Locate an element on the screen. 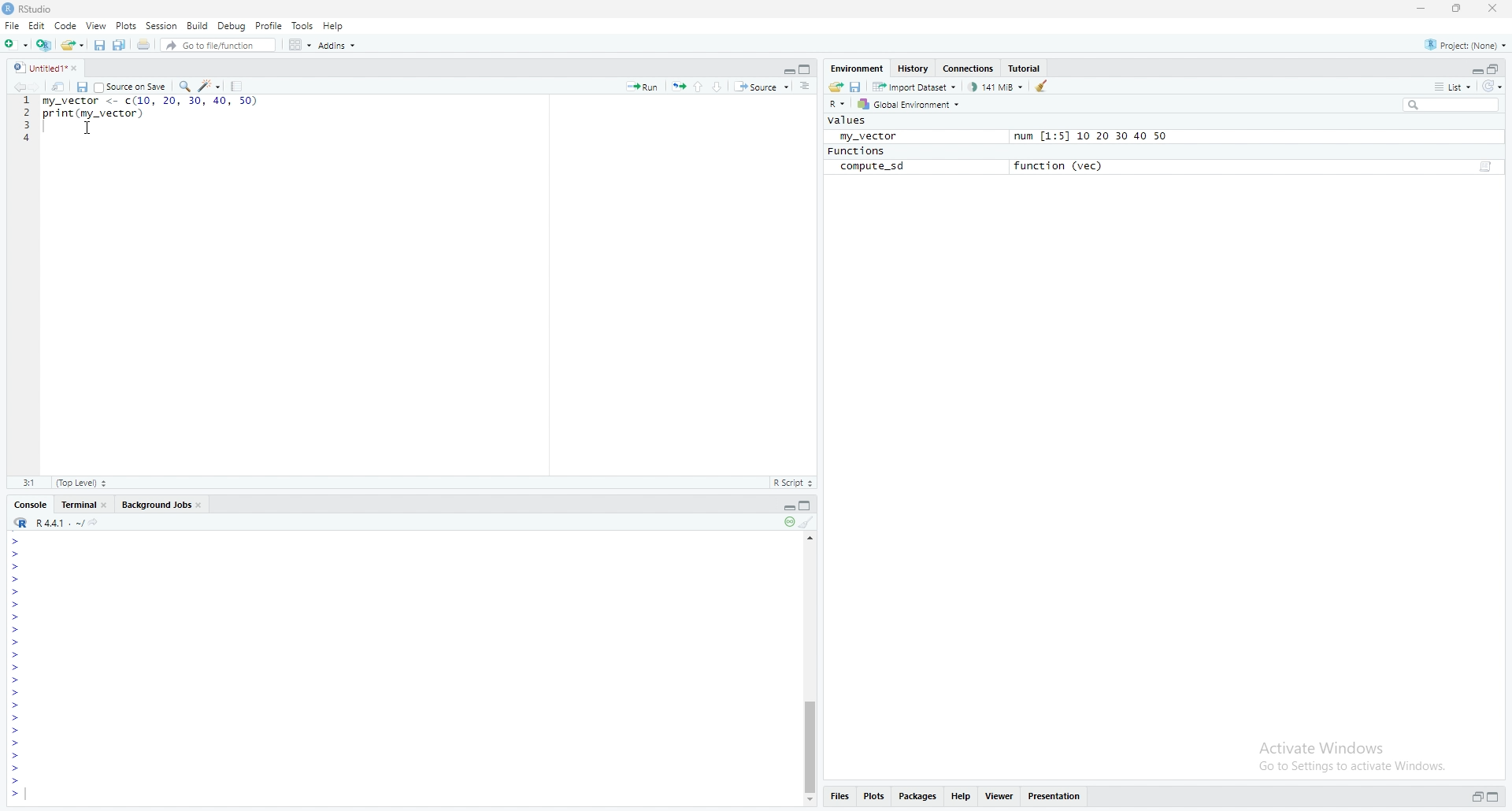 The height and width of the screenshot is (811, 1512). my_vector is located at coordinates (865, 135).